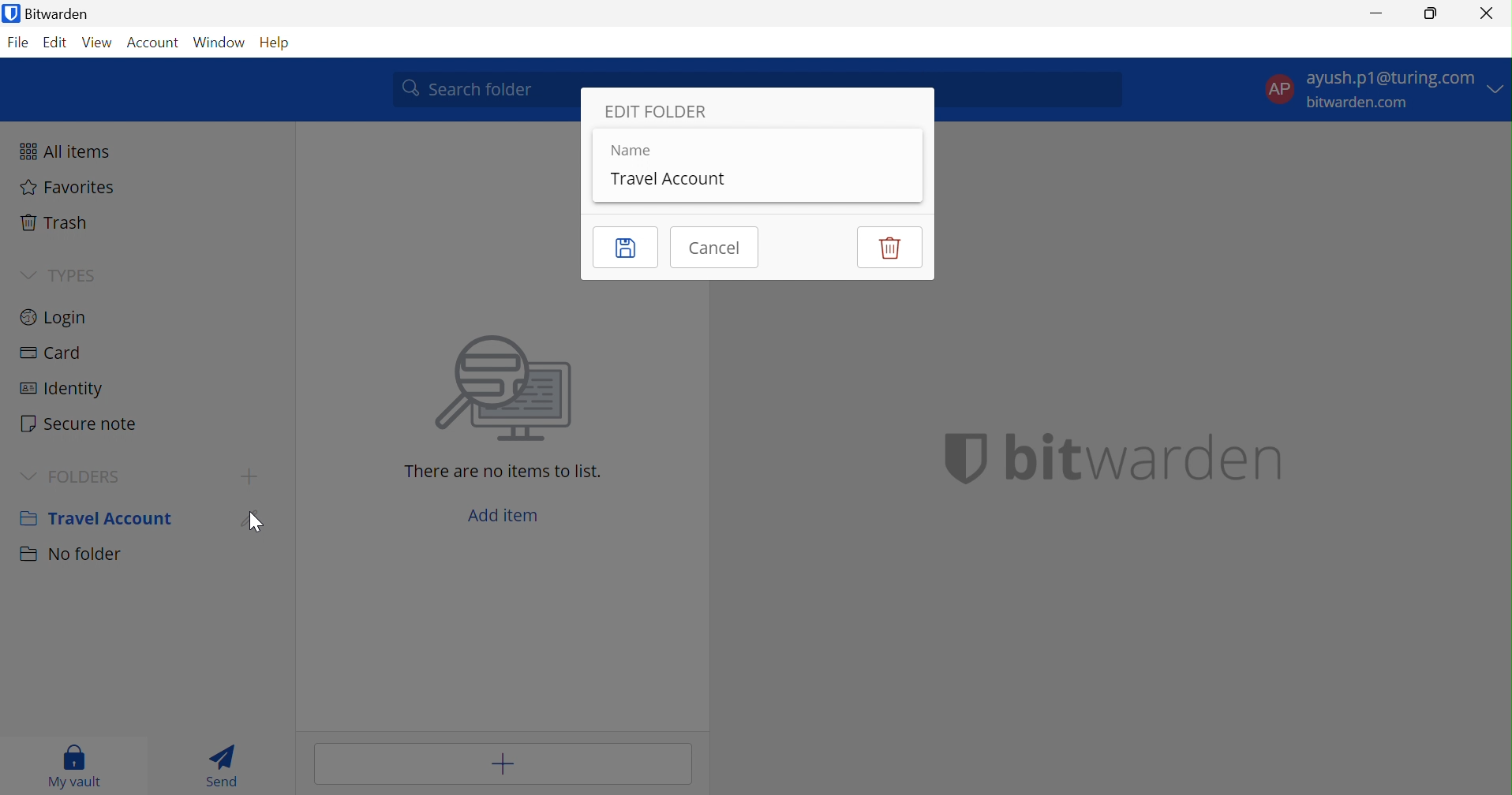 The height and width of the screenshot is (795, 1512). What do you see at coordinates (23, 274) in the screenshot?
I see `Drop Down` at bounding box center [23, 274].